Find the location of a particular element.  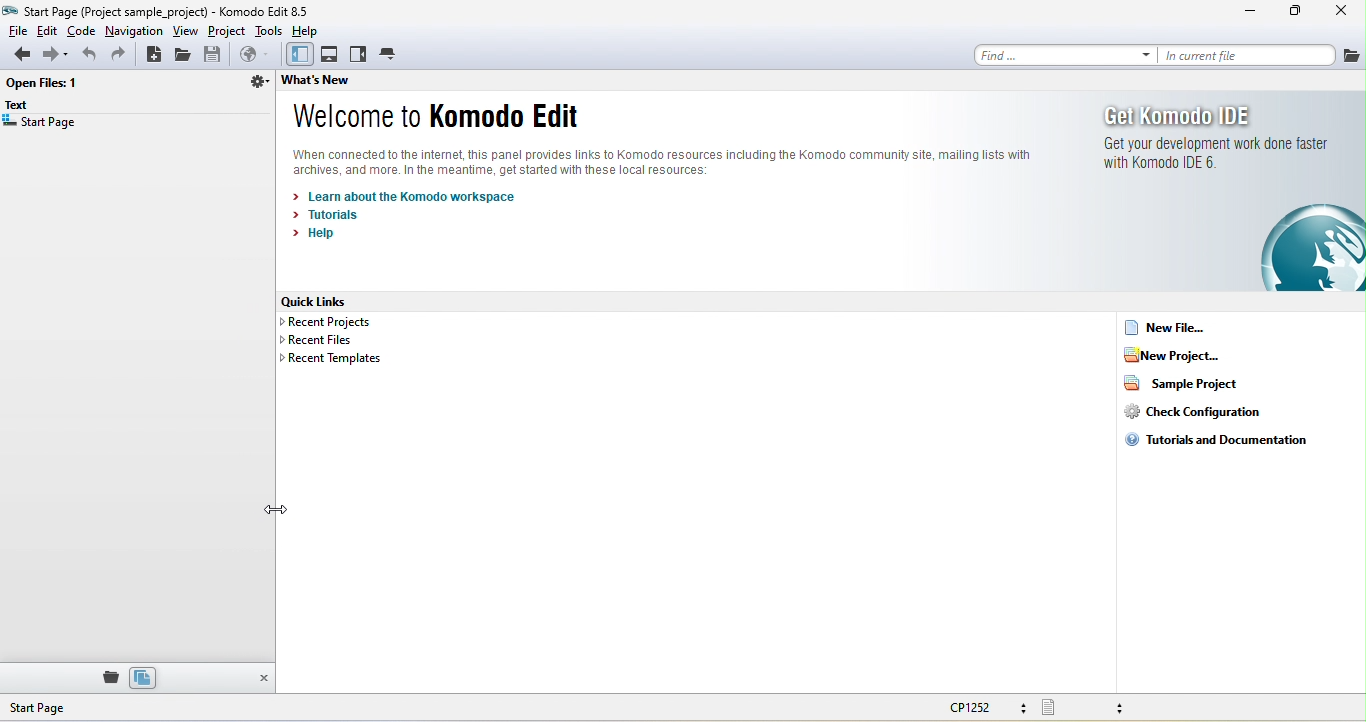

back is located at coordinates (17, 56).